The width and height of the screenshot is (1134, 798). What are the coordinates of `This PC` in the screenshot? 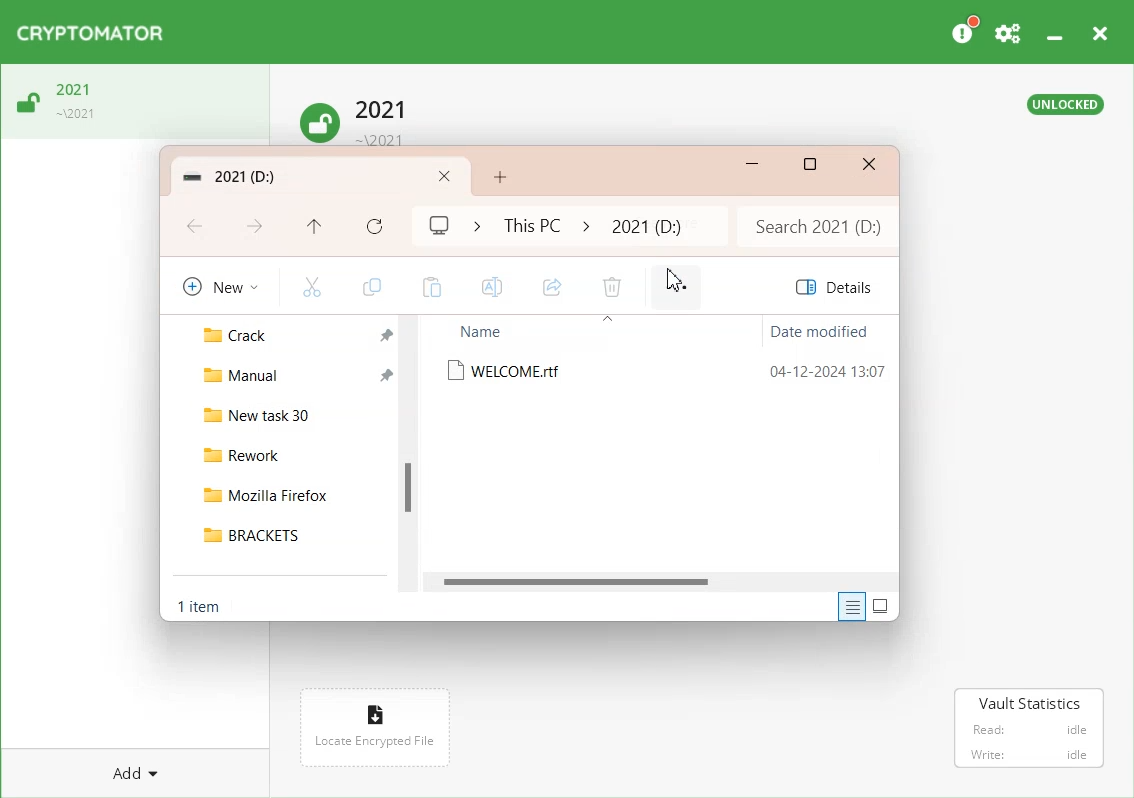 It's located at (532, 224).